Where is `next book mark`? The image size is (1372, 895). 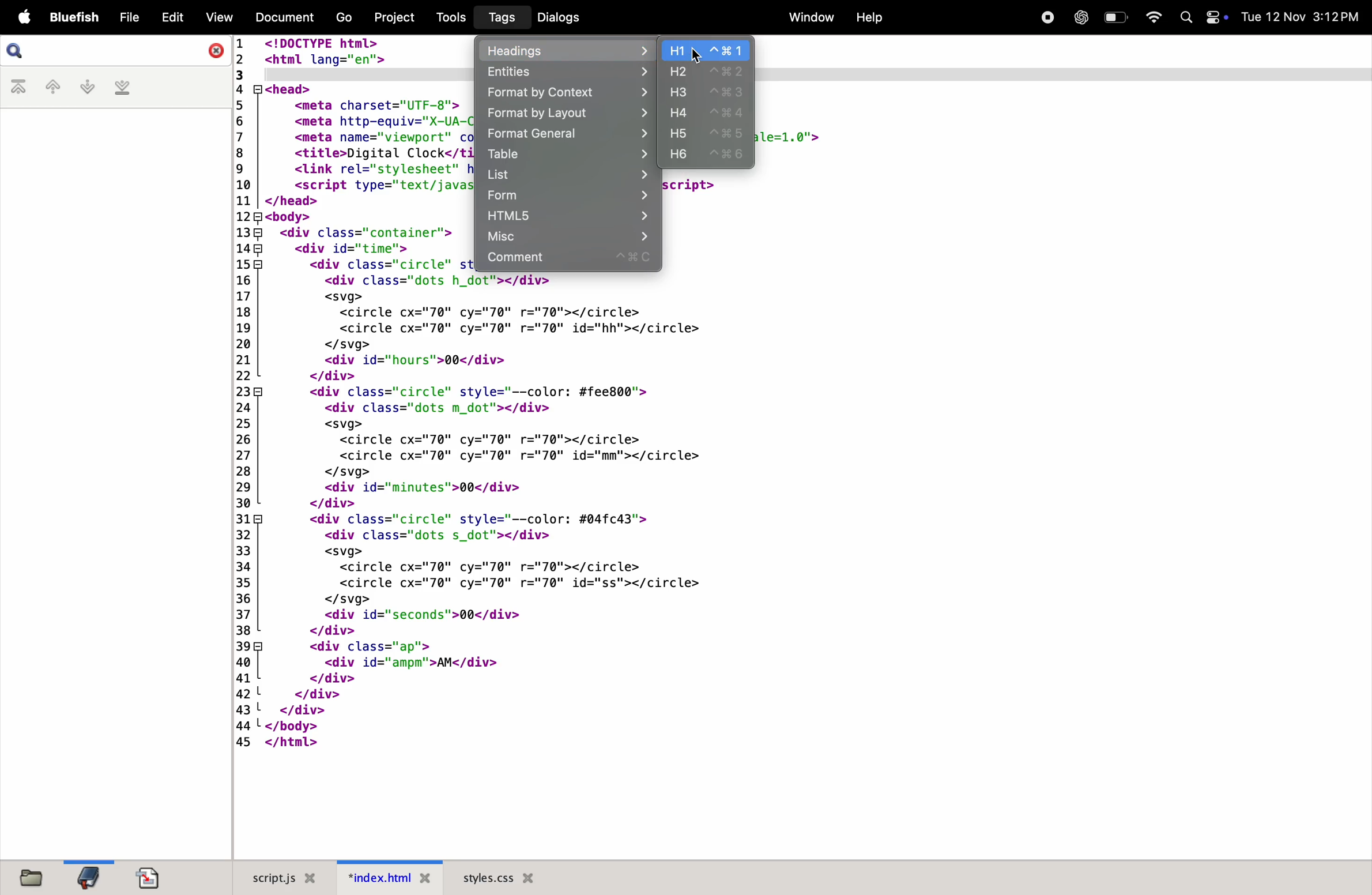 next book mark is located at coordinates (87, 87).